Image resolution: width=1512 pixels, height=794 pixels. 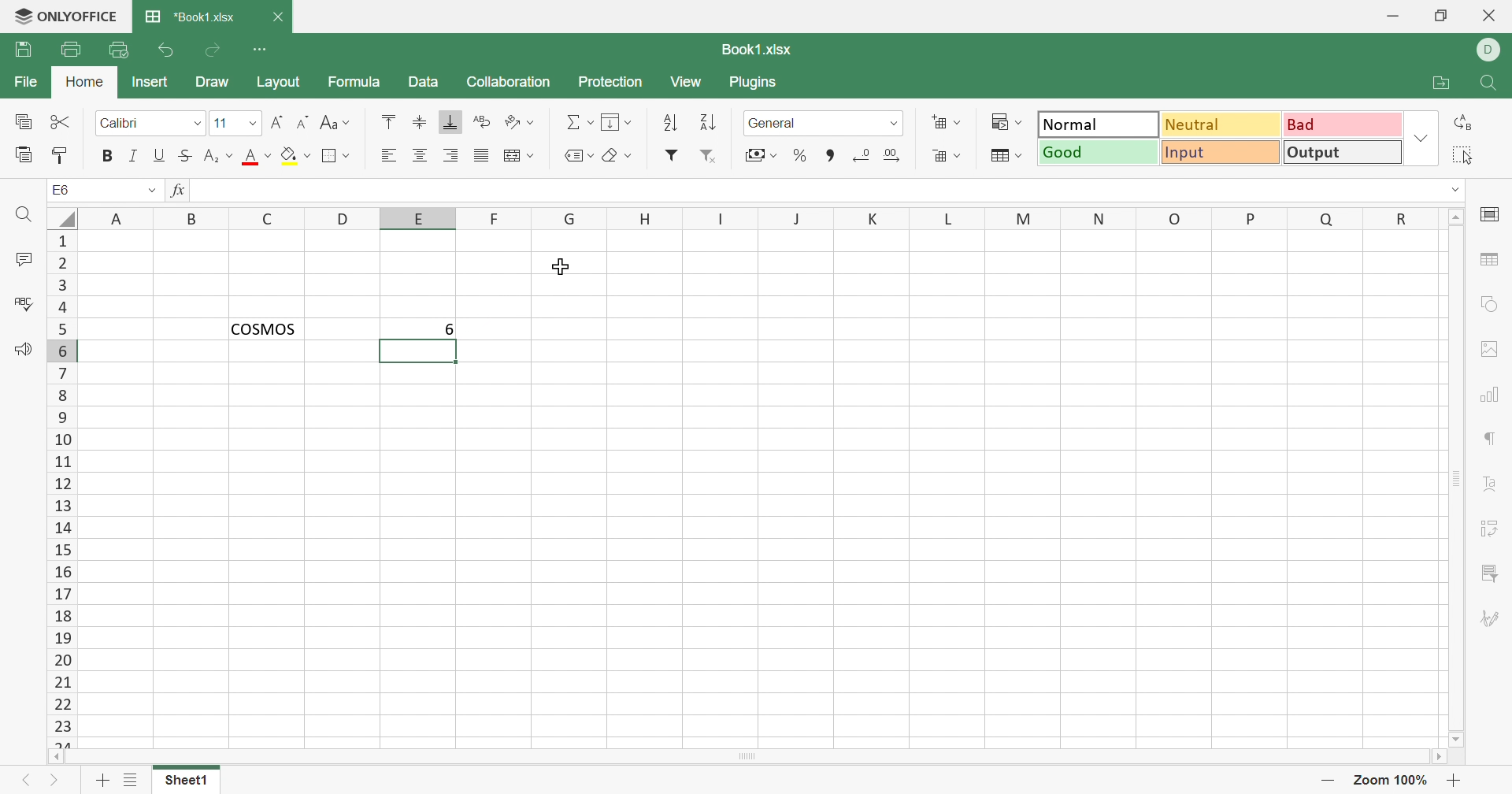 What do you see at coordinates (1458, 478) in the screenshot?
I see `Scroll bar` at bounding box center [1458, 478].